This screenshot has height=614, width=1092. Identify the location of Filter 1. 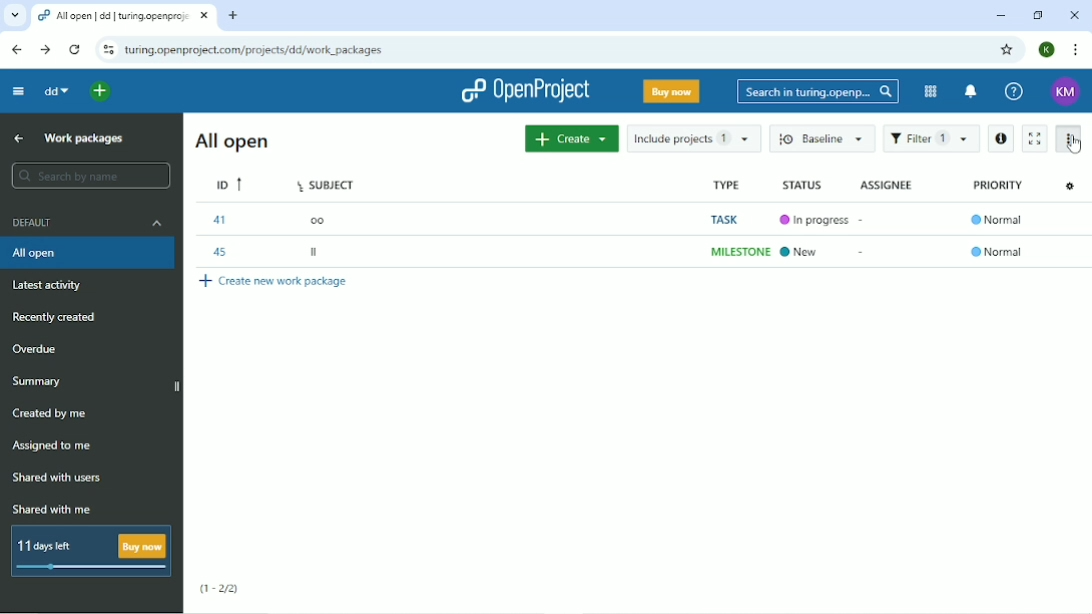
(931, 138).